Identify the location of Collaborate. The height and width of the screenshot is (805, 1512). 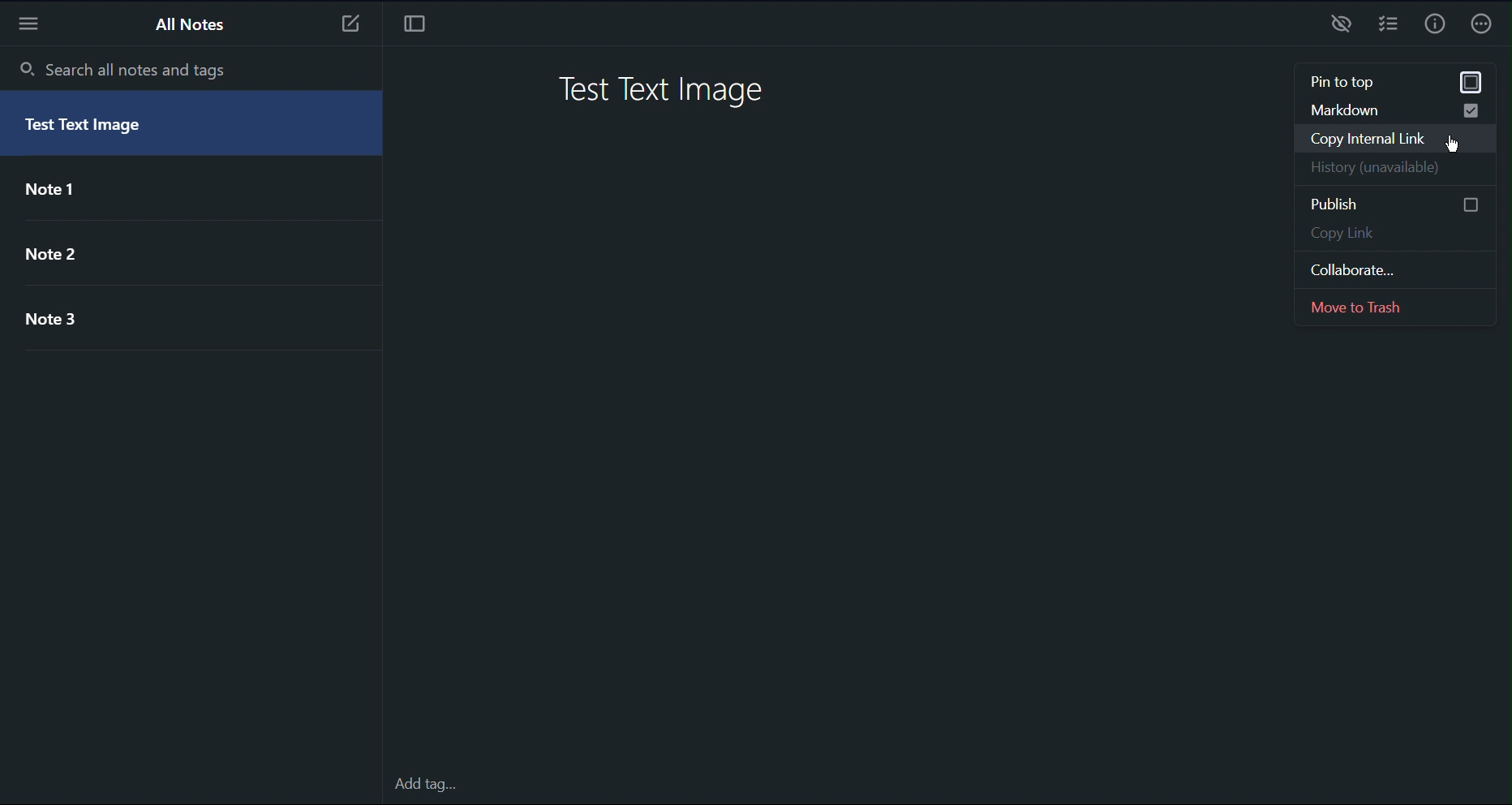
(1394, 272).